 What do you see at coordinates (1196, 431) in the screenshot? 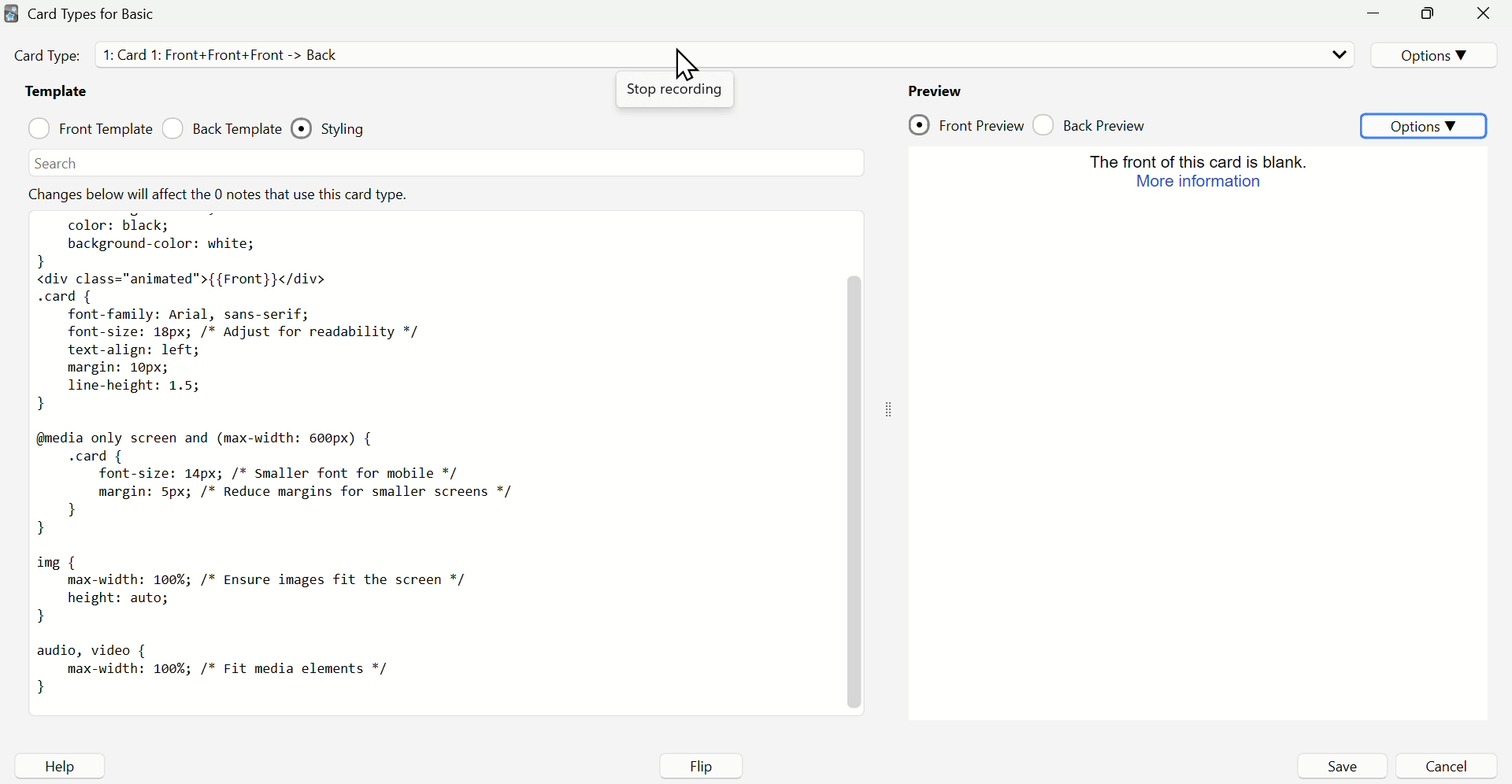
I see `Preview` at bounding box center [1196, 431].